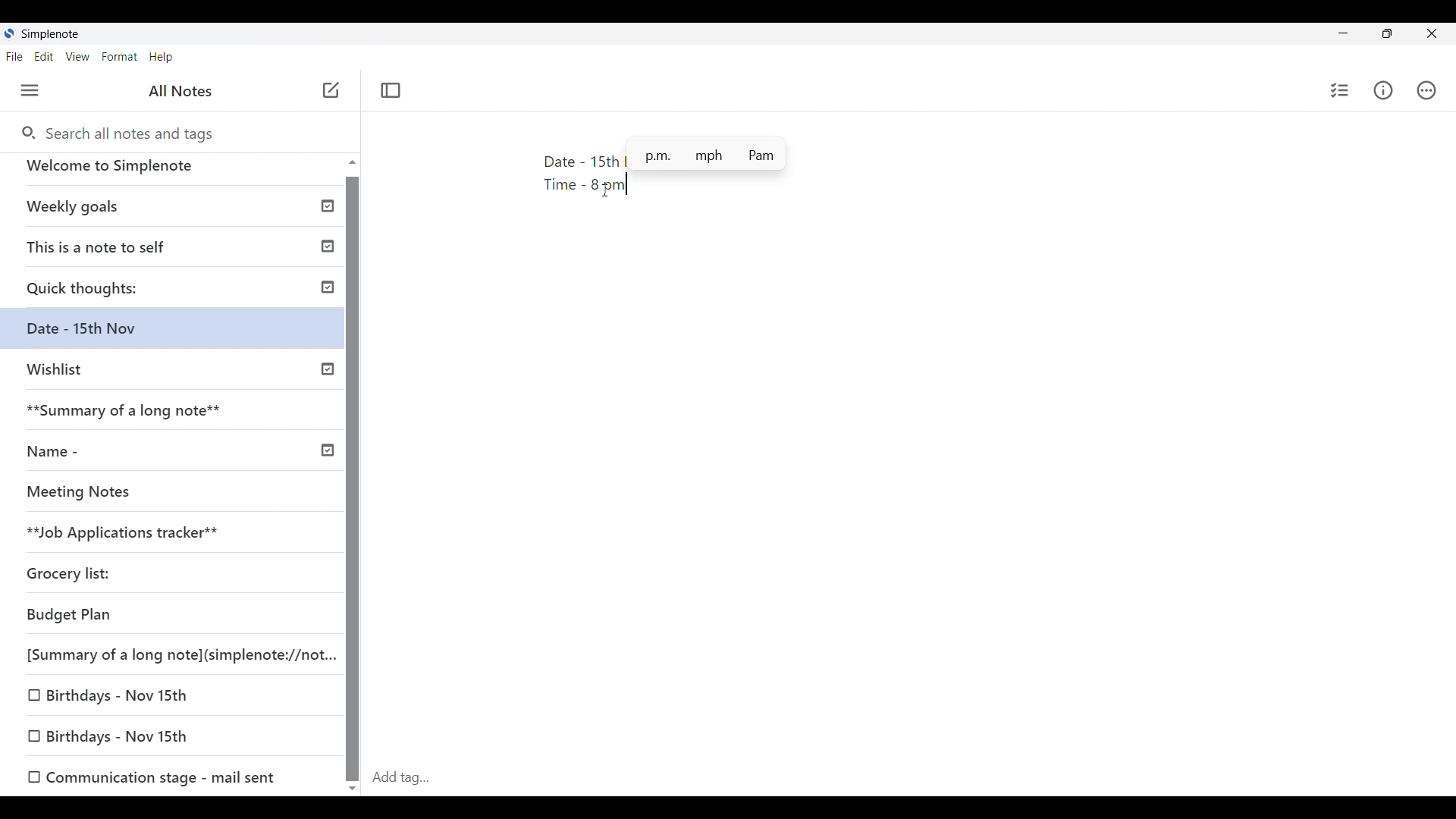 The width and height of the screenshot is (1456, 819). I want to click on 15th, so click(604, 161).